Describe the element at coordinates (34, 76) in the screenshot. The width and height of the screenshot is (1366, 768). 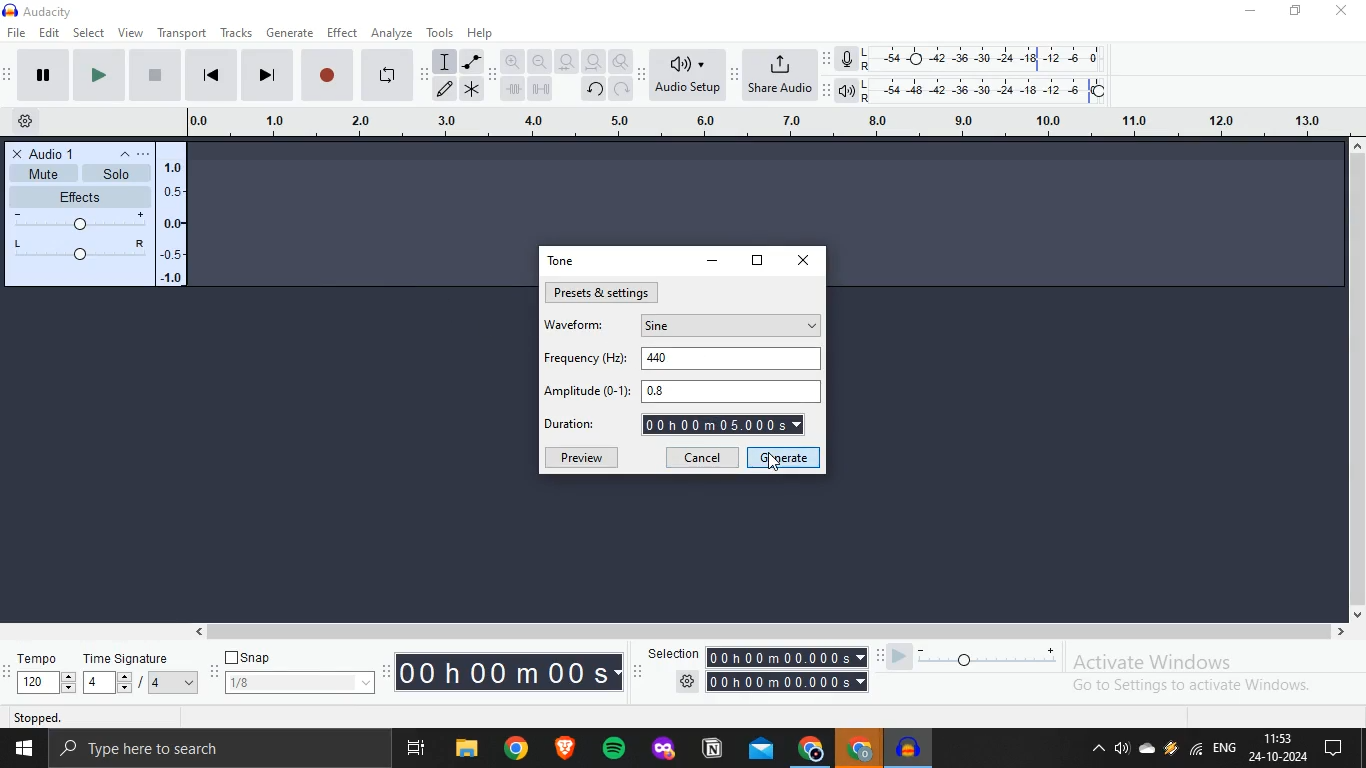
I see `Play` at that location.